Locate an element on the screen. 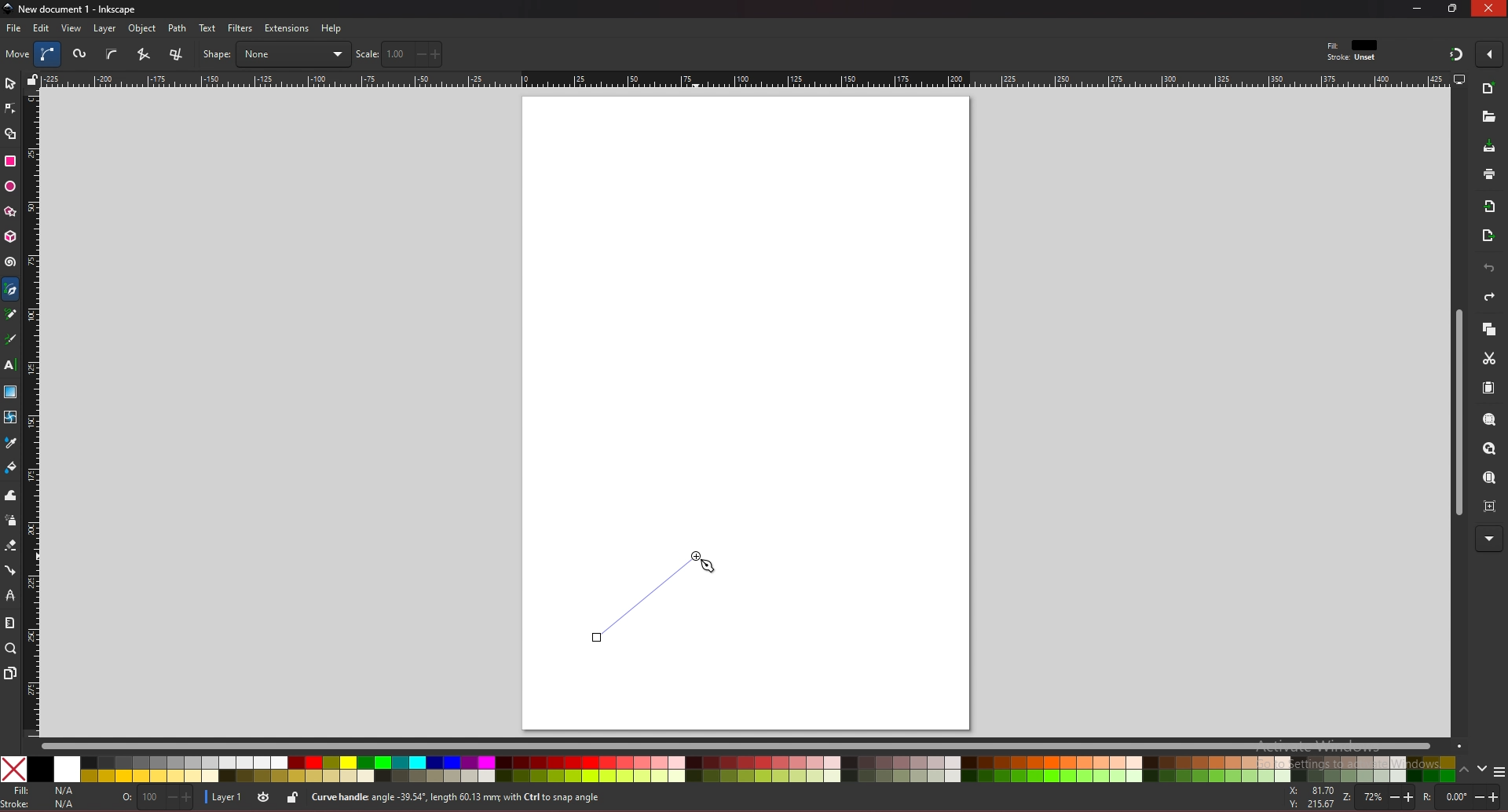  bezier curve is located at coordinates (49, 54).